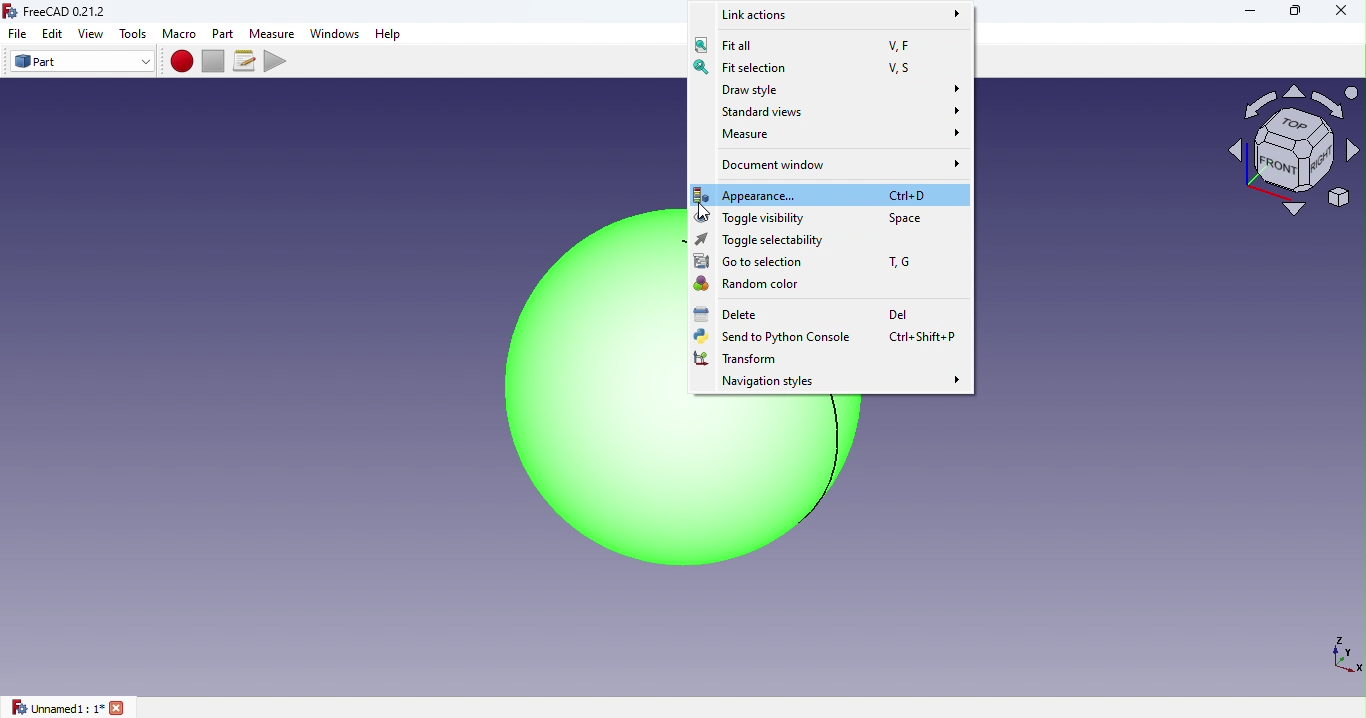 This screenshot has height=718, width=1366. What do you see at coordinates (14, 34) in the screenshot?
I see `File` at bounding box center [14, 34].